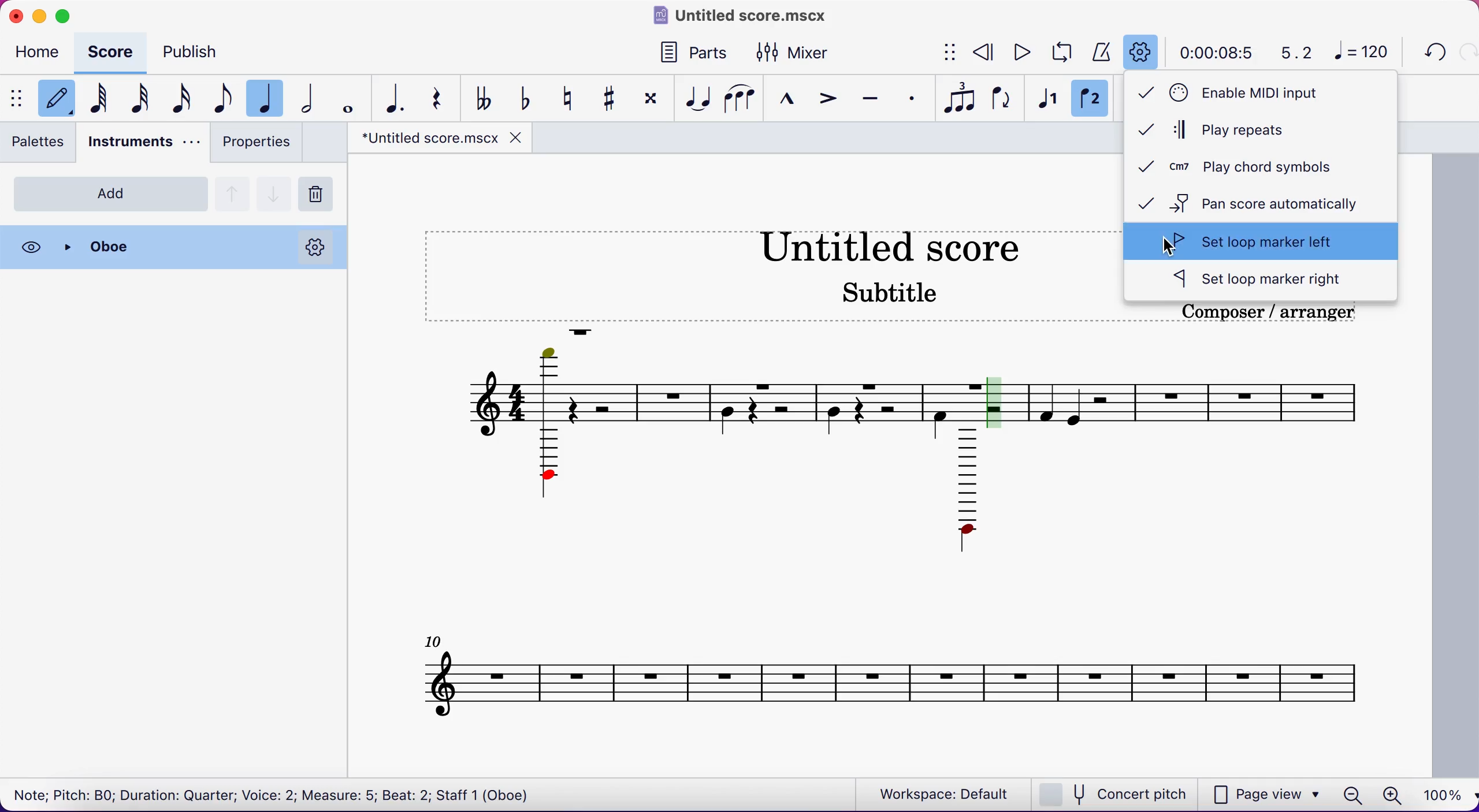  I want to click on zoom out, so click(1352, 793).